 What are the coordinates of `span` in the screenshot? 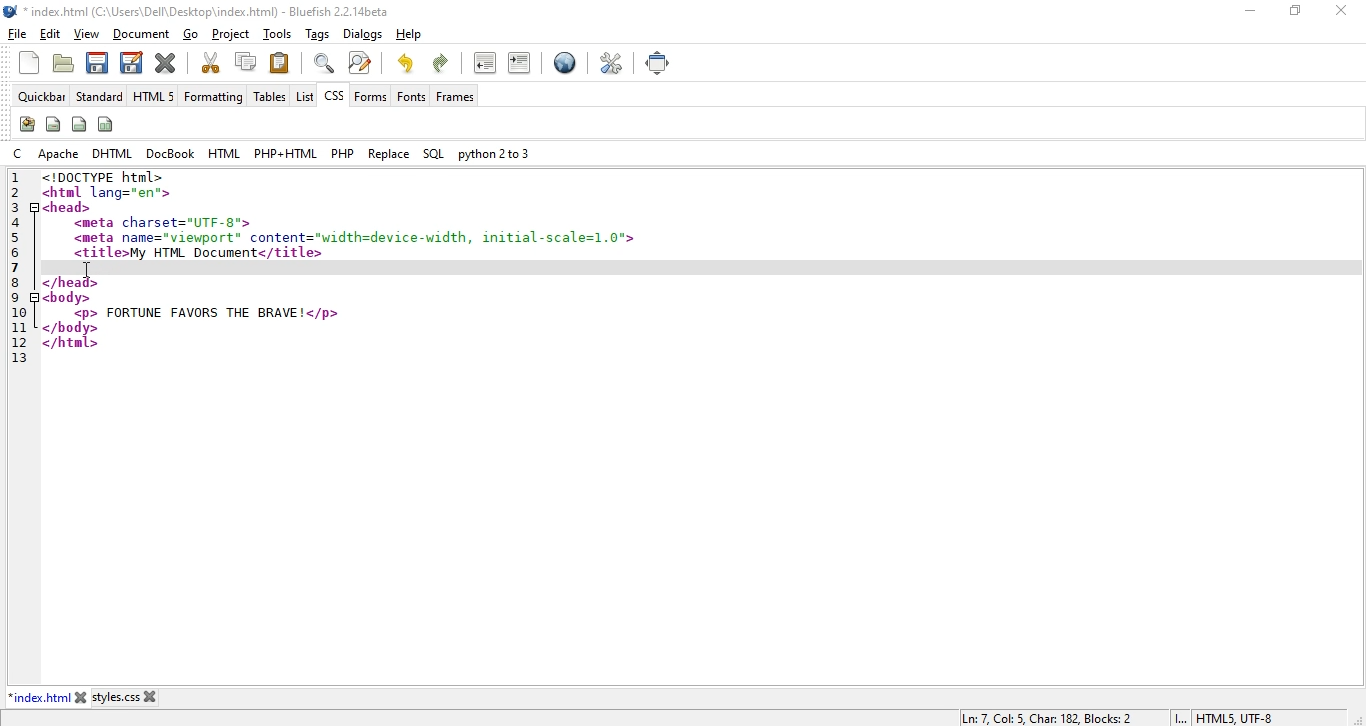 It's located at (53, 123).